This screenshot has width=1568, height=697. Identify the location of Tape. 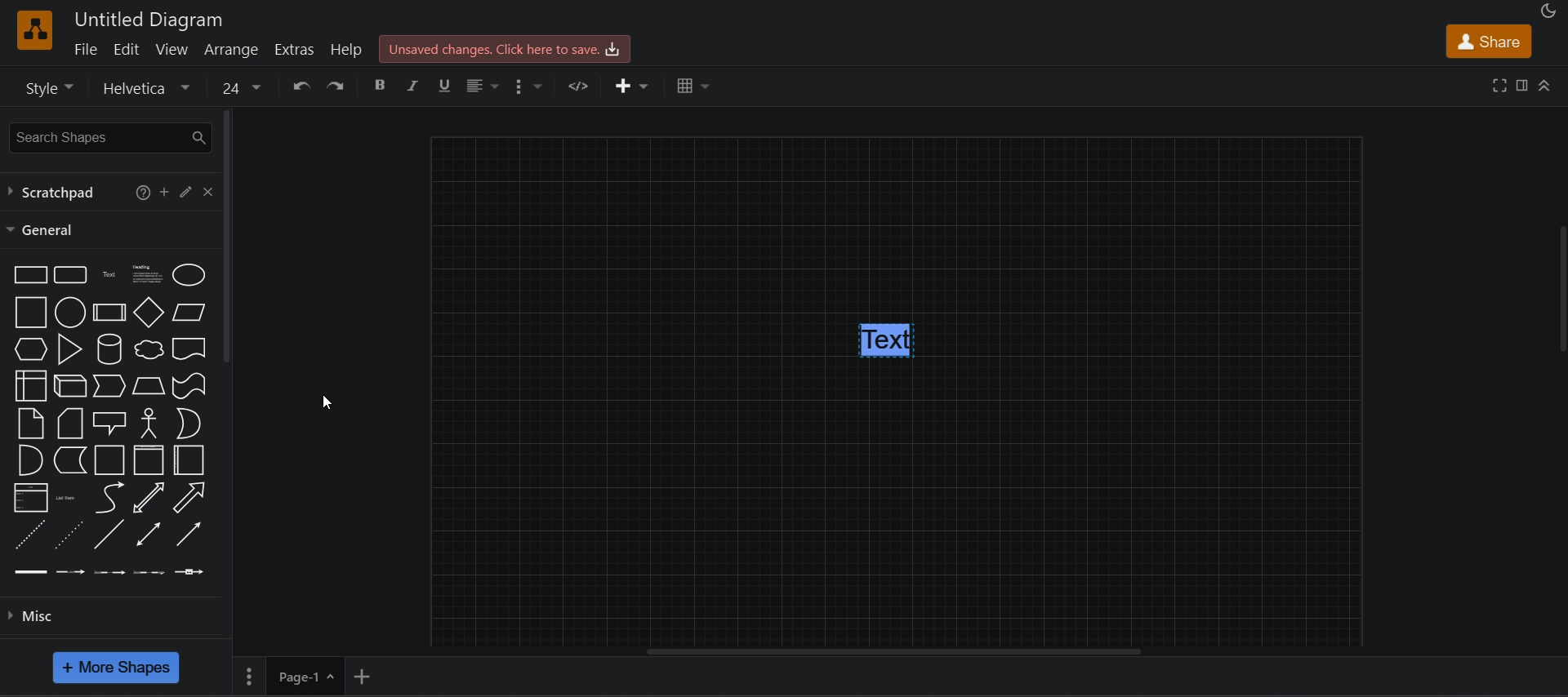
(189, 386).